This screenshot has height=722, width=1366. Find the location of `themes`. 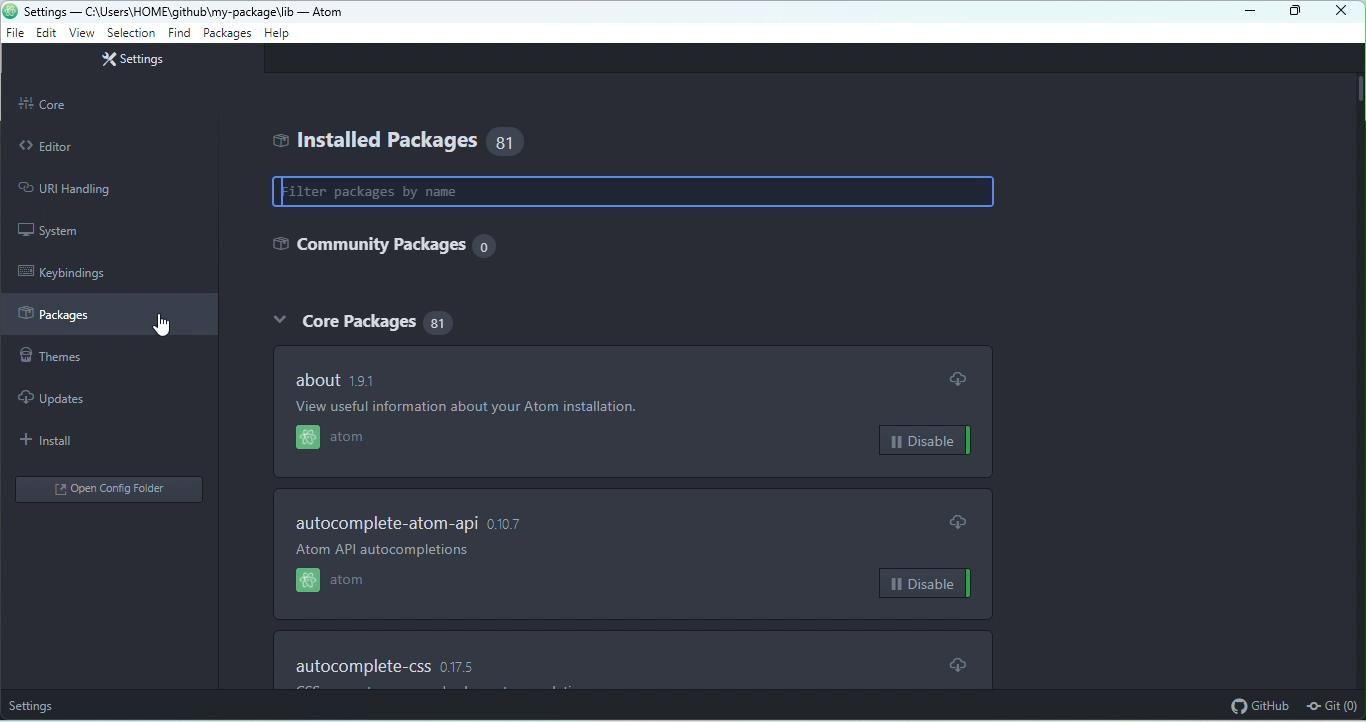

themes is located at coordinates (72, 357).